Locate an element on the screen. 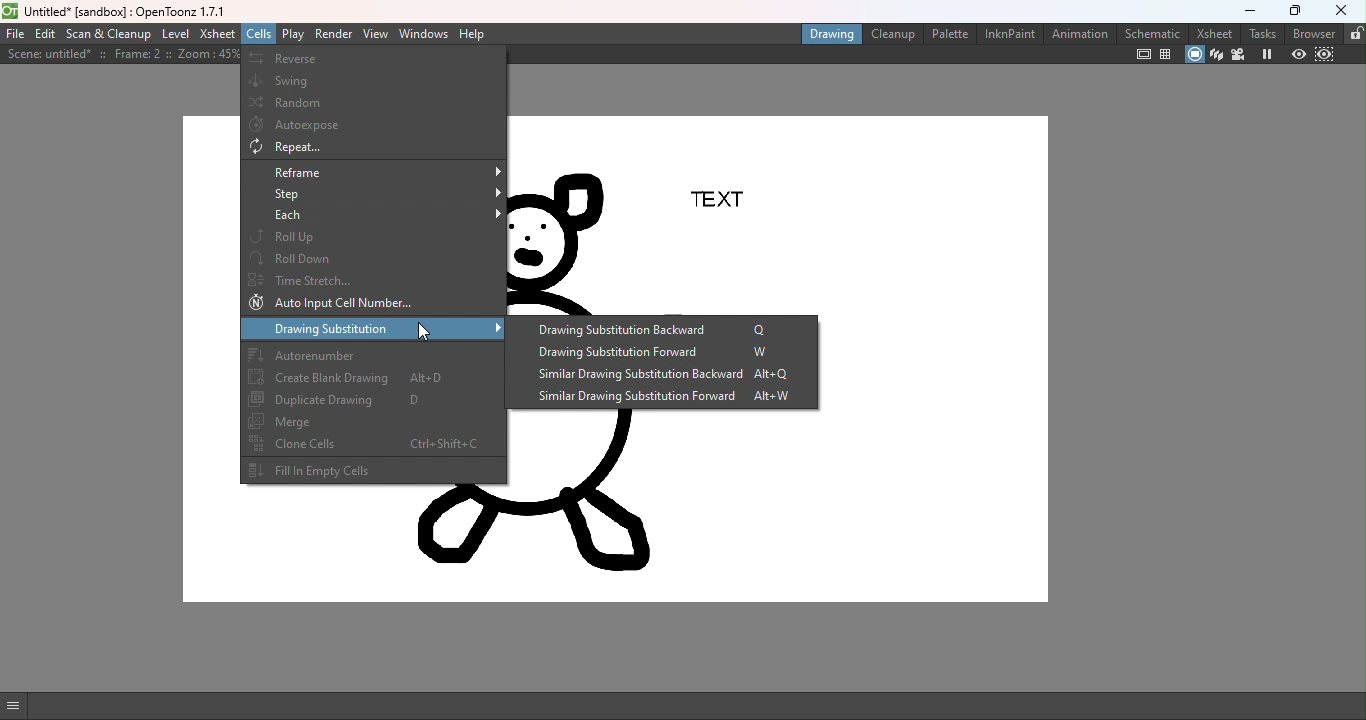 This screenshot has width=1366, height=720. Windows is located at coordinates (423, 34).